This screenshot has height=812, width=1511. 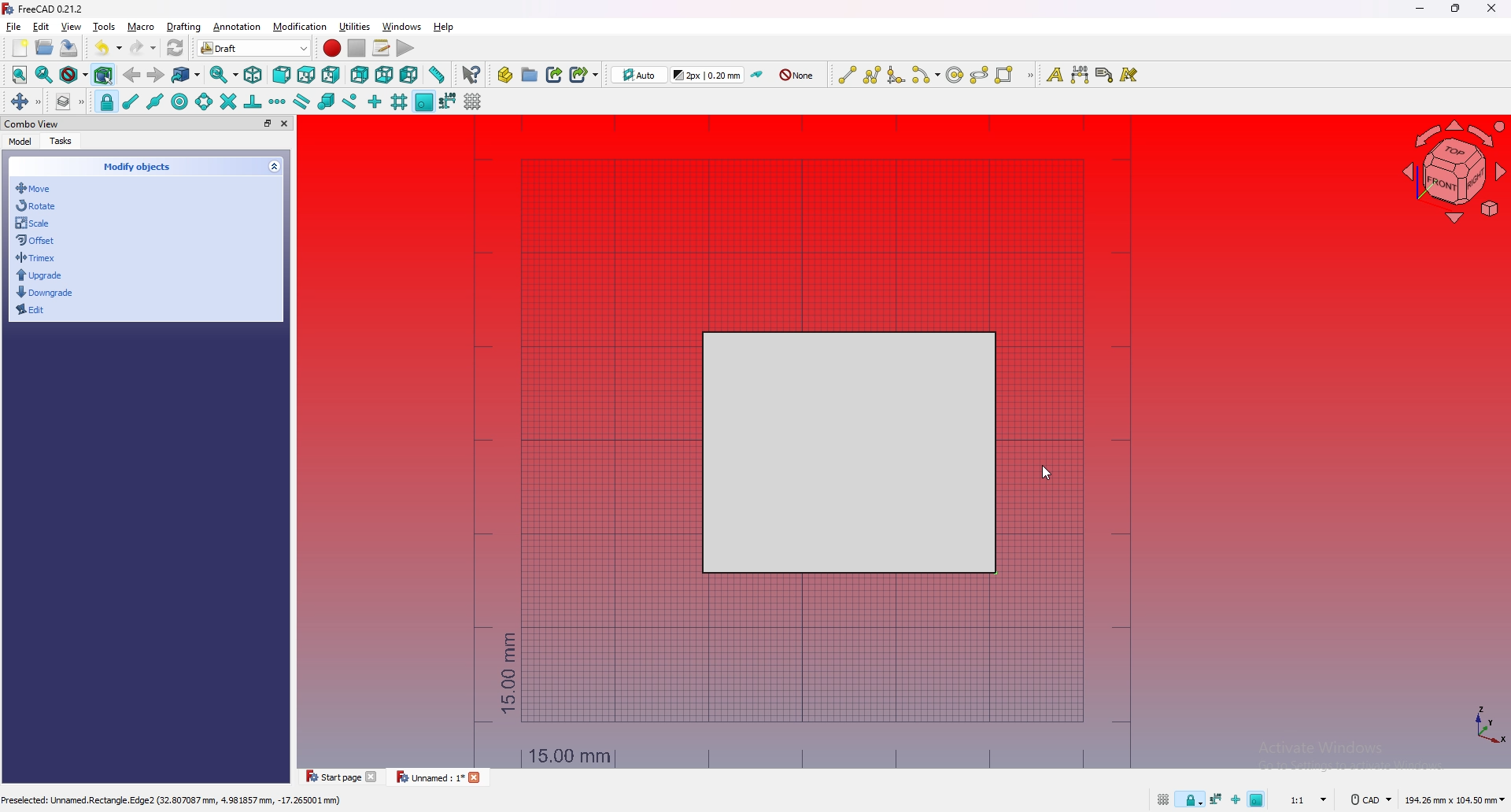 What do you see at coordinates (106, 47) in the screenshot?
I see `undo` at bounding box center [106, 47].